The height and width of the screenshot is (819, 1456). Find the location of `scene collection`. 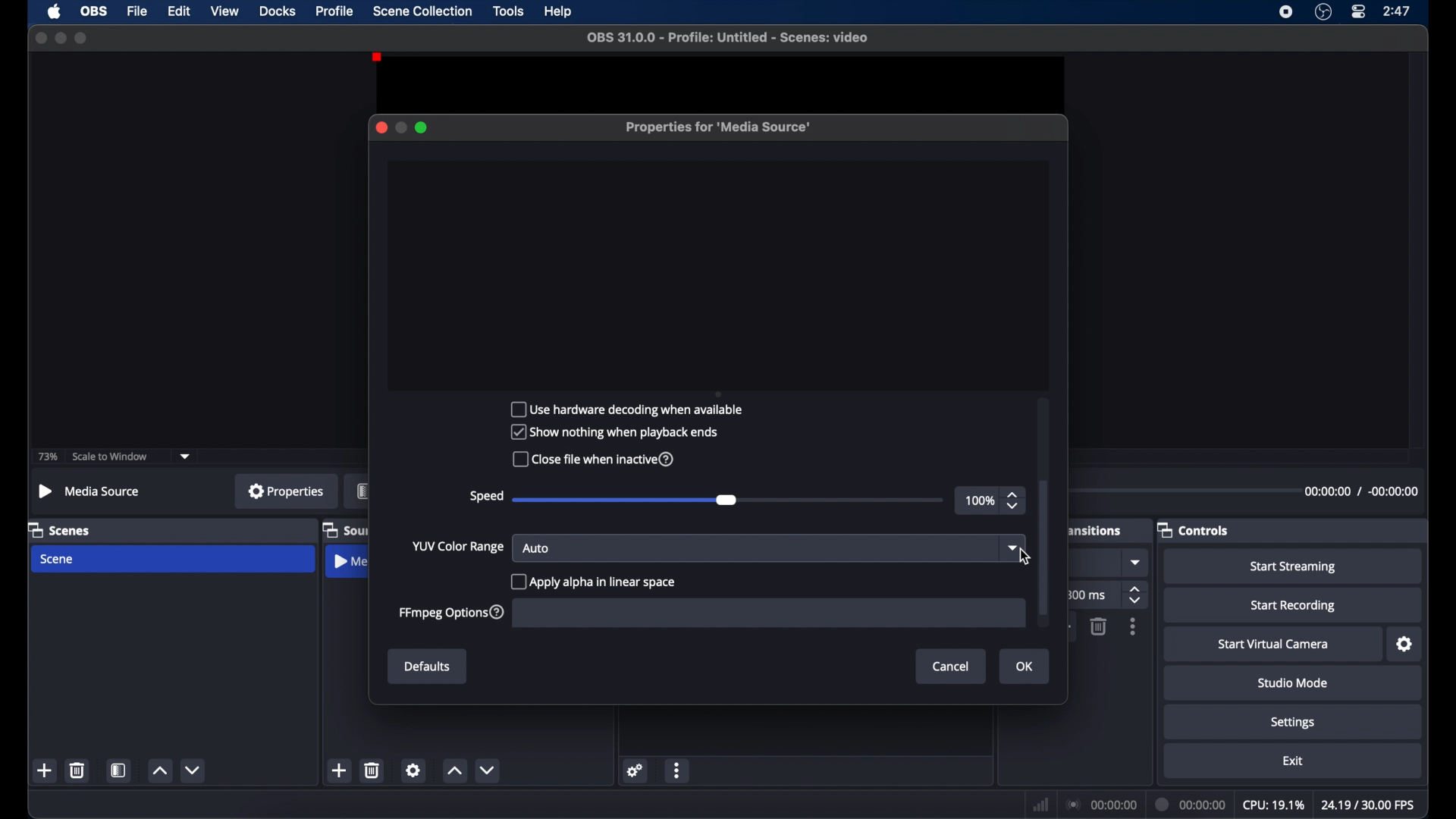

scene collection is located at coordinates (424, 11).